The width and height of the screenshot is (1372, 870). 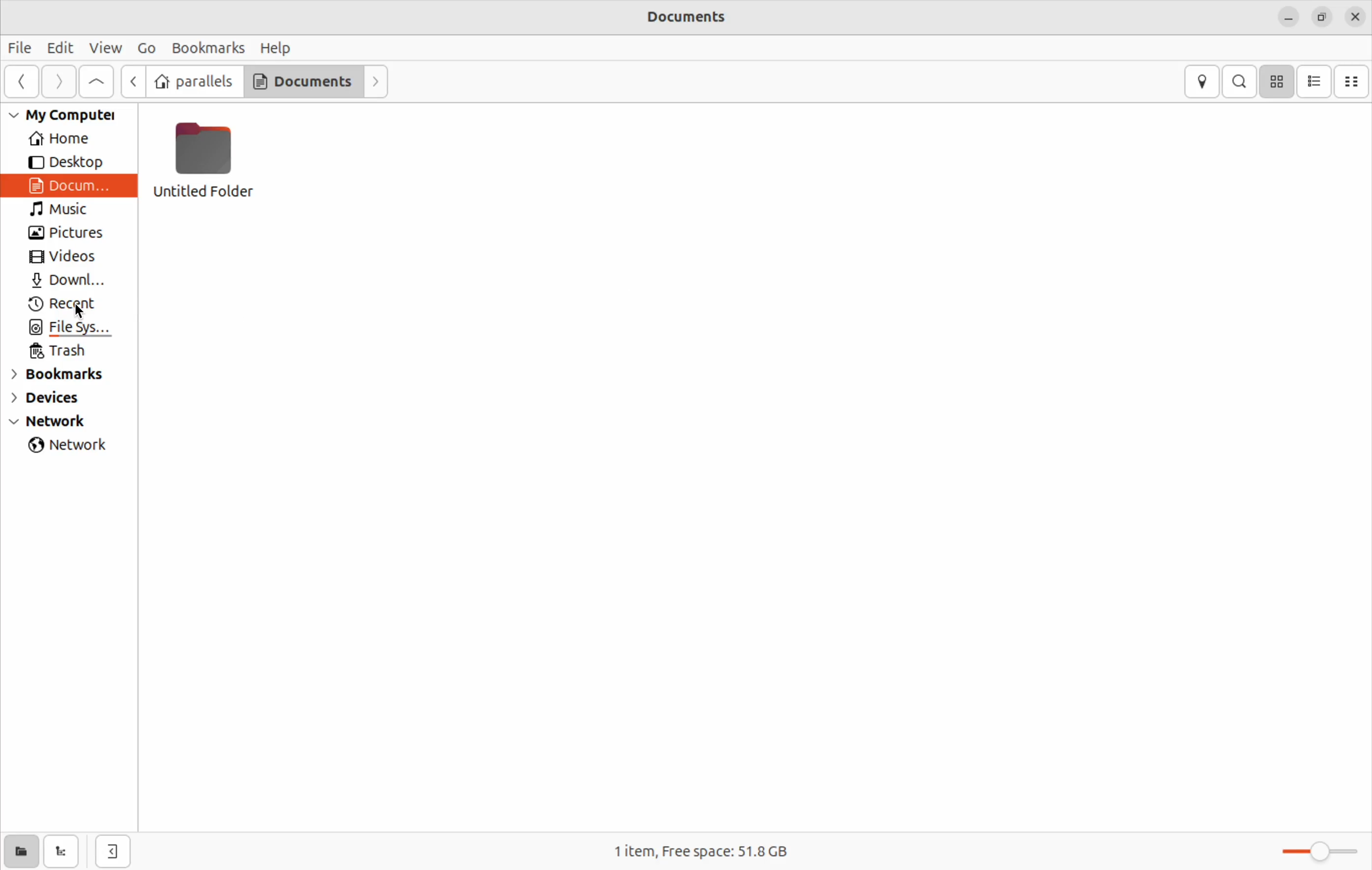 What do you see at coordinates (68, 374) in the screenshot?
I see `Bookmarks` at bounding box center [68, 374].